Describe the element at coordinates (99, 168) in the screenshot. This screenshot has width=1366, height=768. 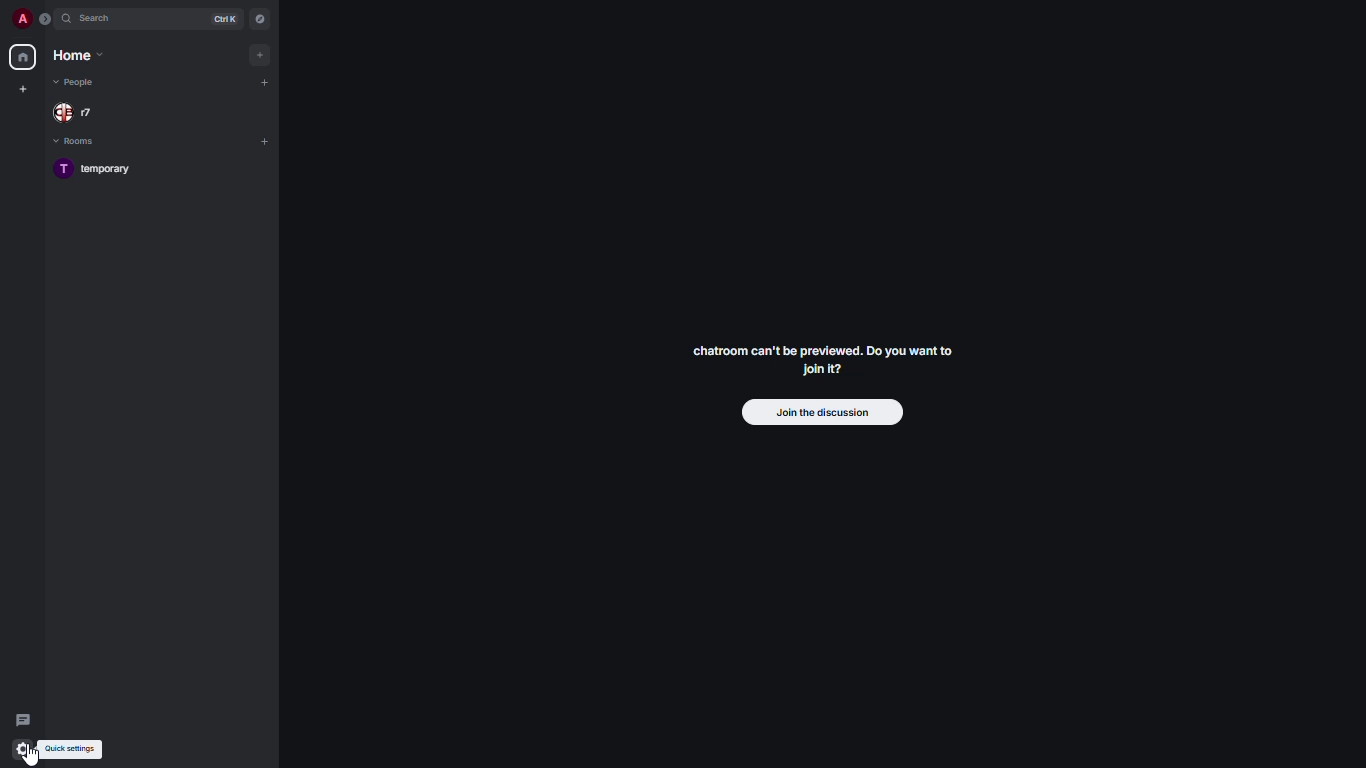
I see `room` at that location.